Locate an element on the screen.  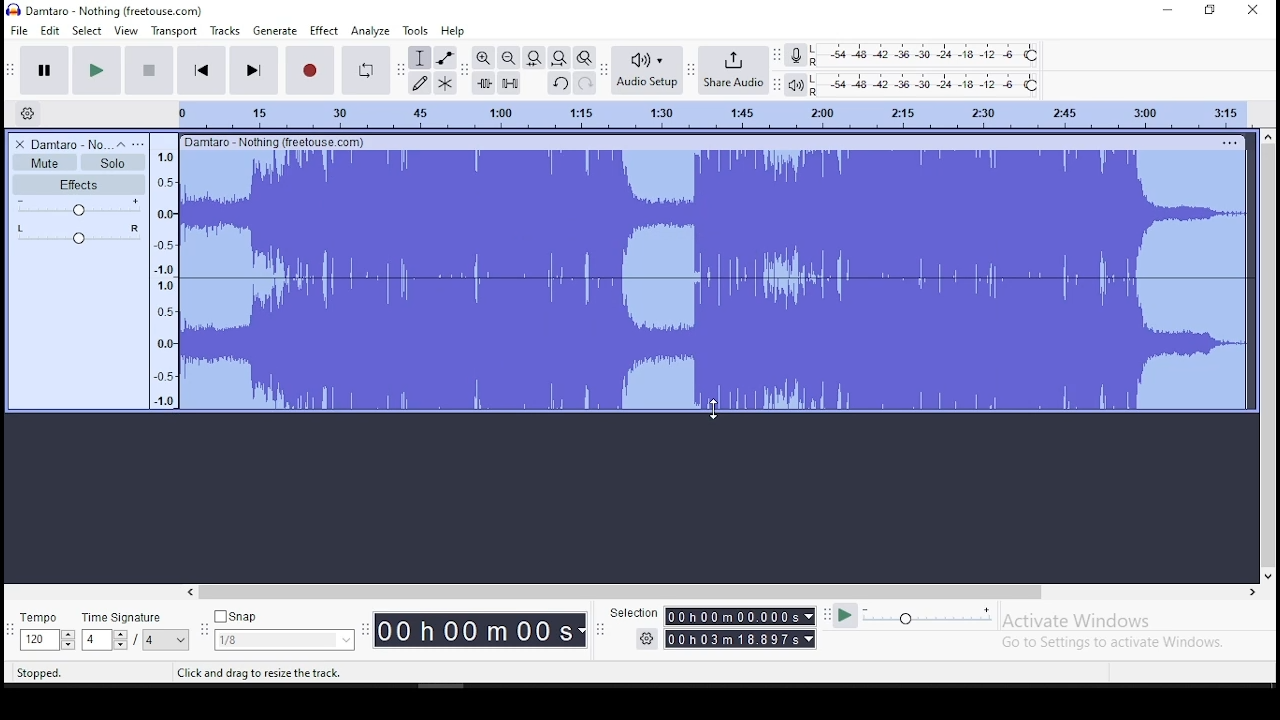
Damtaro - Nothing (freetouse.com) is located at coordinates (104, 11).